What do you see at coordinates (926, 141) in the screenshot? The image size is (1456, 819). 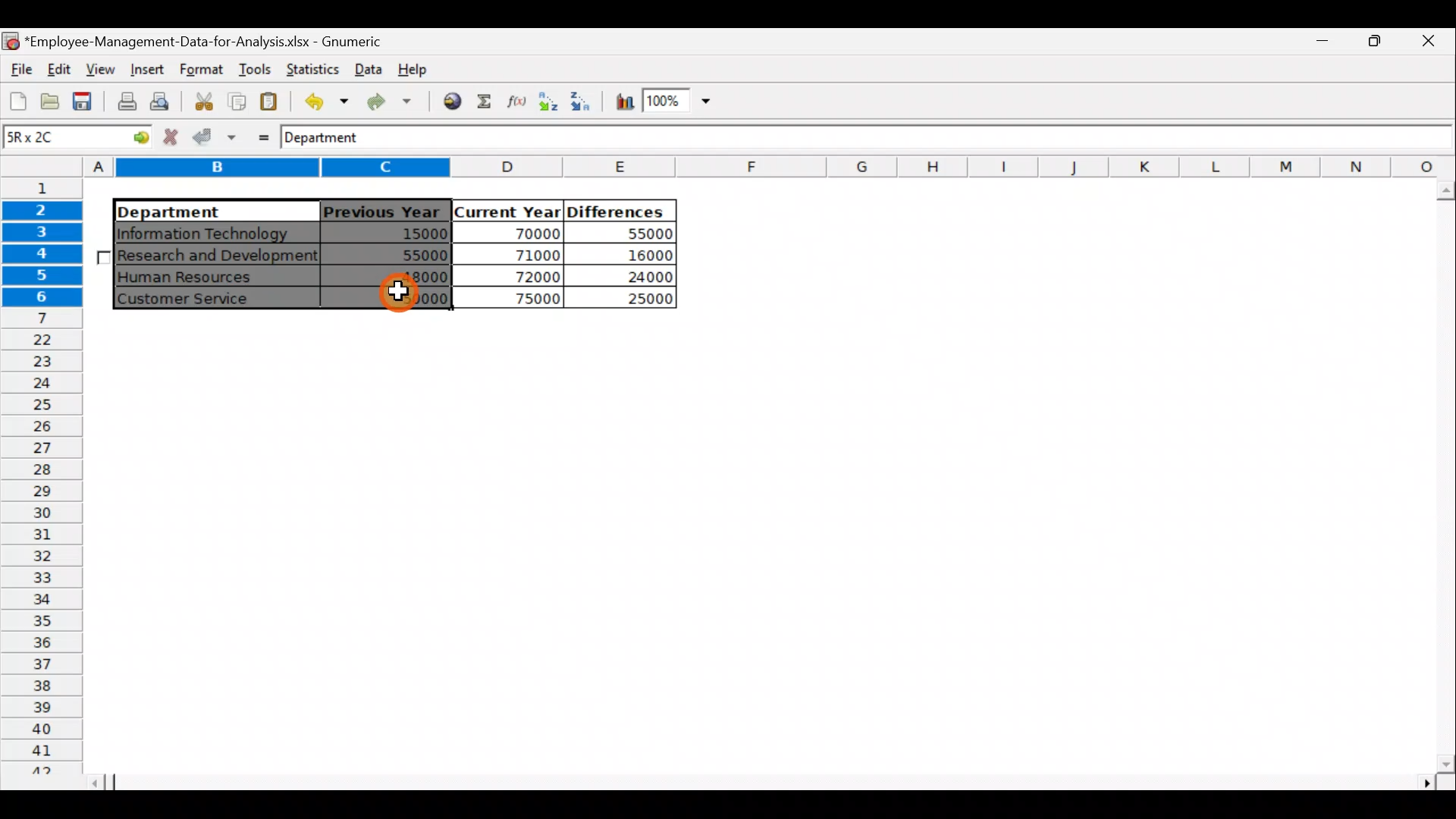 I see `Formula bar` at bounding box center [926, 141].